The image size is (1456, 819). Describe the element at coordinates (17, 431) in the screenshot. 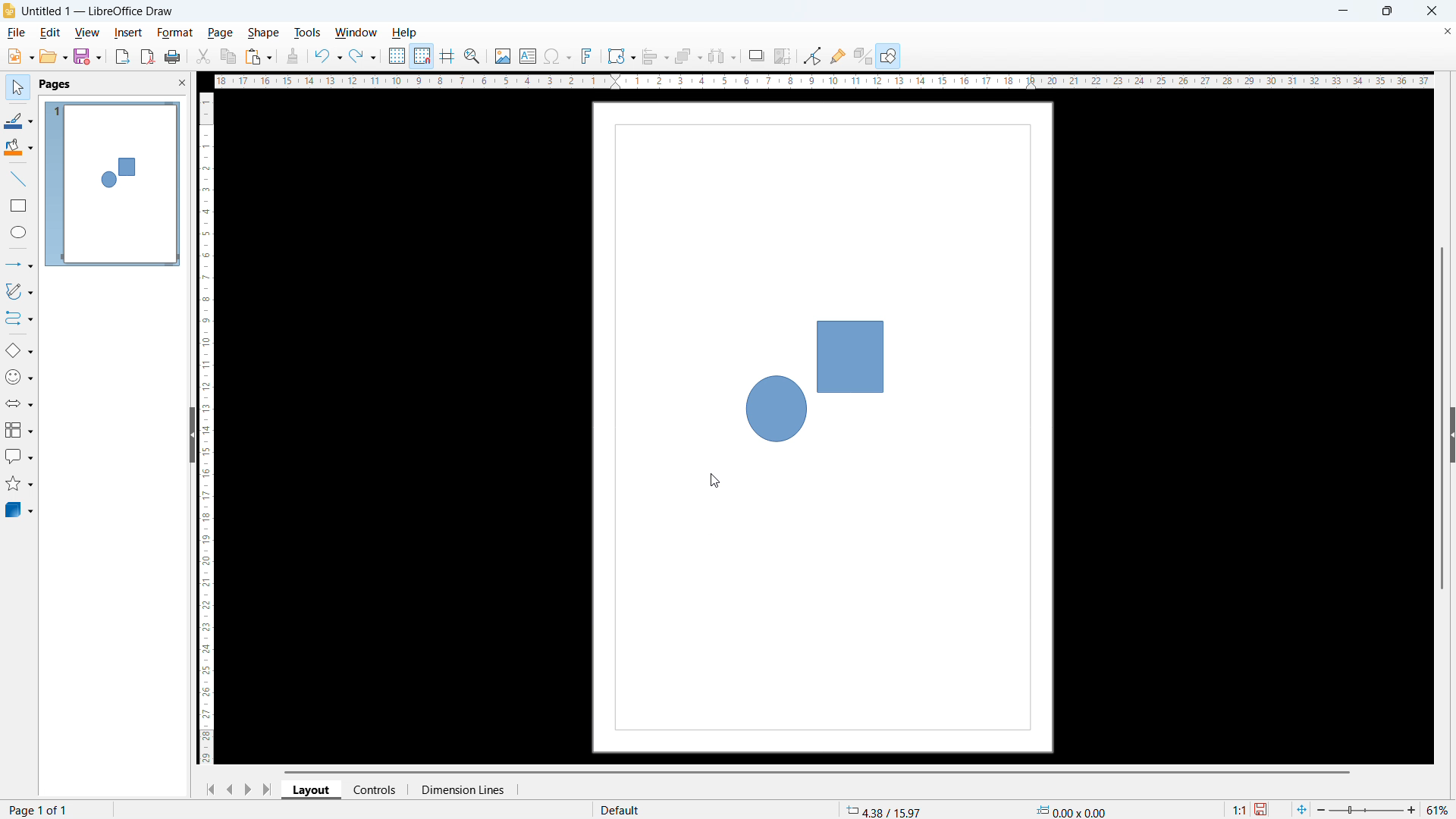

I see `flowchart` at that location.